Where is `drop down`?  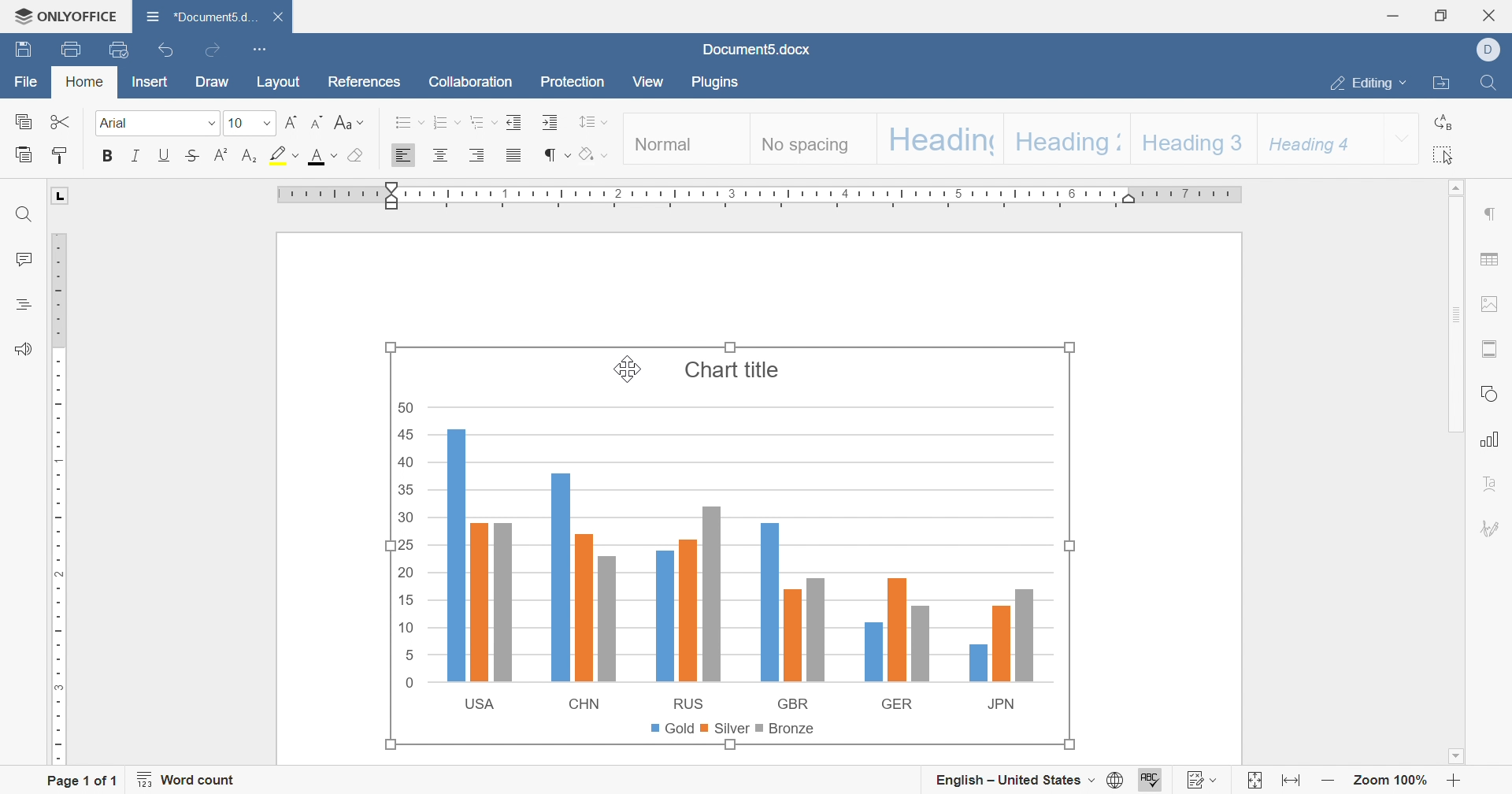
drop down is located at coordinates (211, 124).